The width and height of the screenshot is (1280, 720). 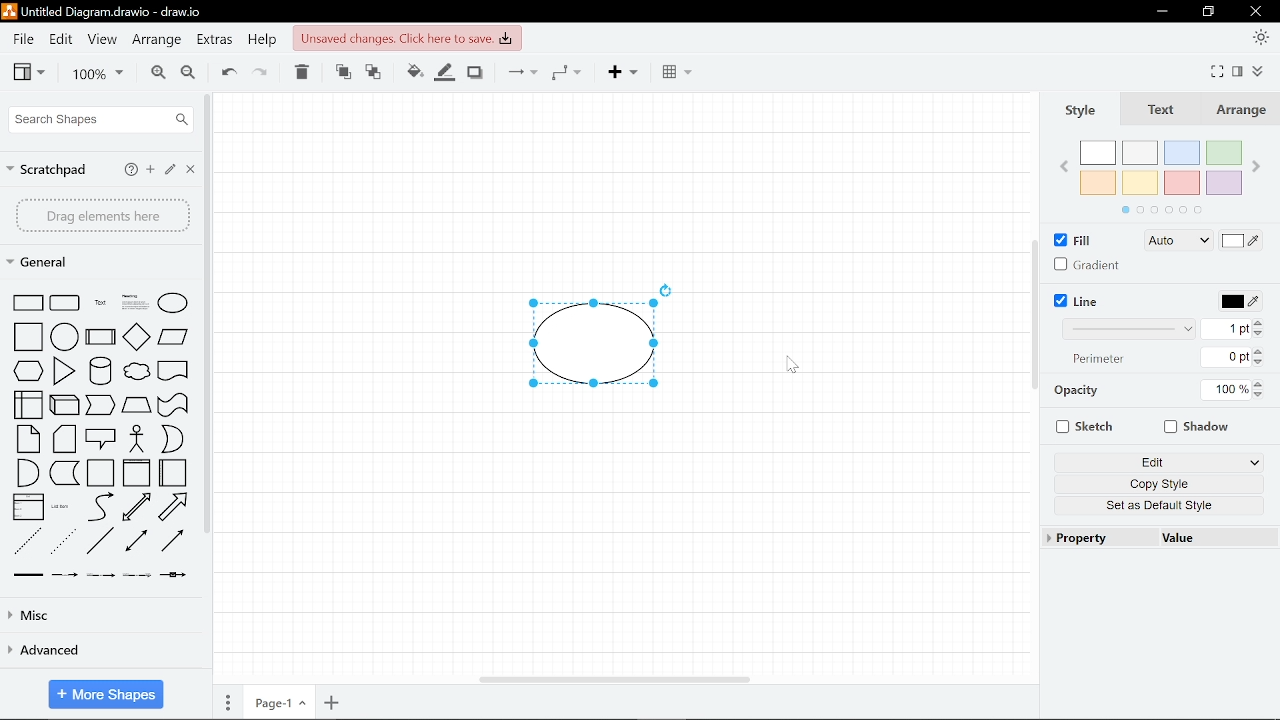 I want to click on Increase opacity, so click(x=1259, y=384).